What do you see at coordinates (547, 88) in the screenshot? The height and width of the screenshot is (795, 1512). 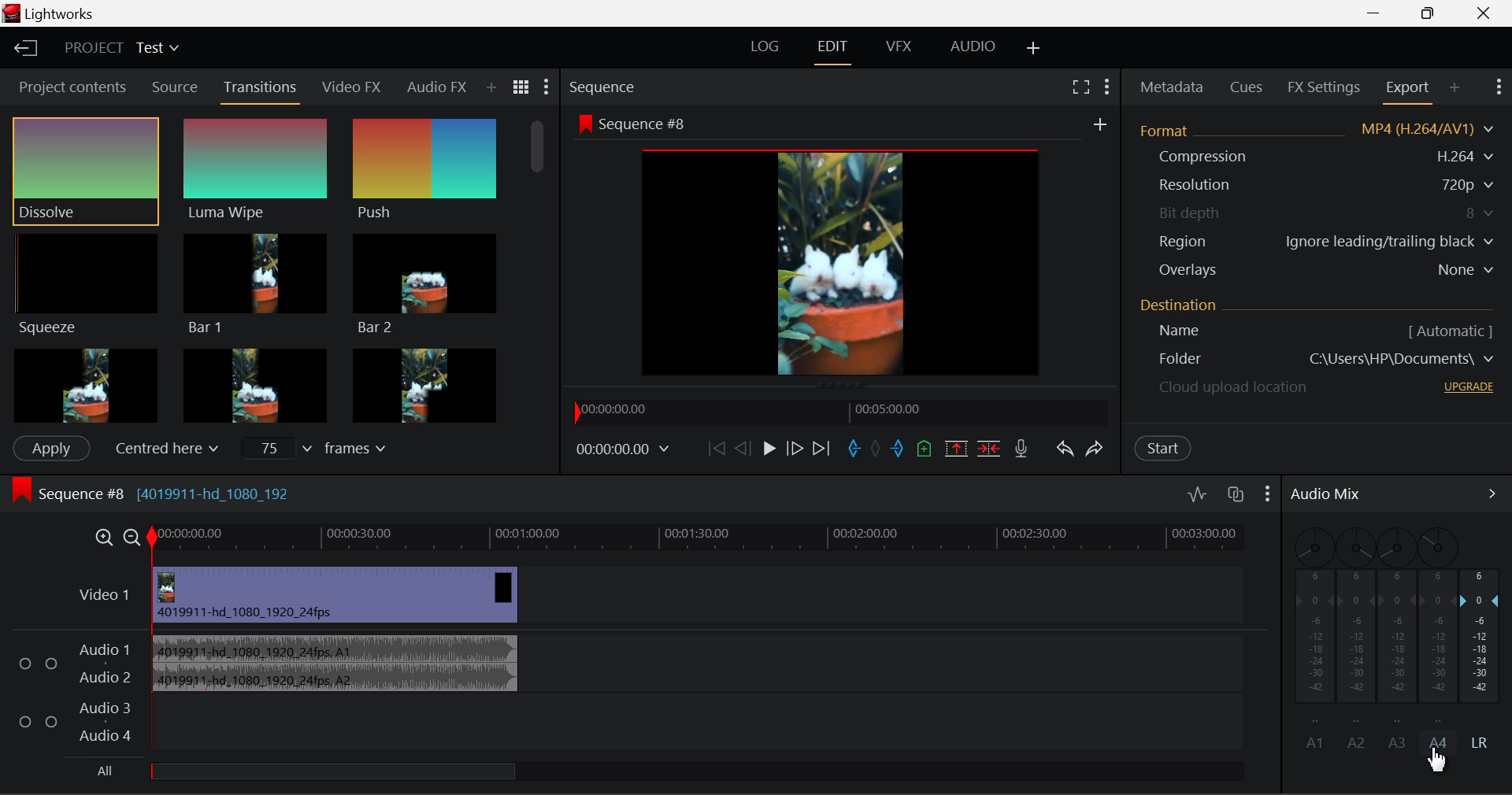 I see `Show Settings` at bounding box center [547, 88].